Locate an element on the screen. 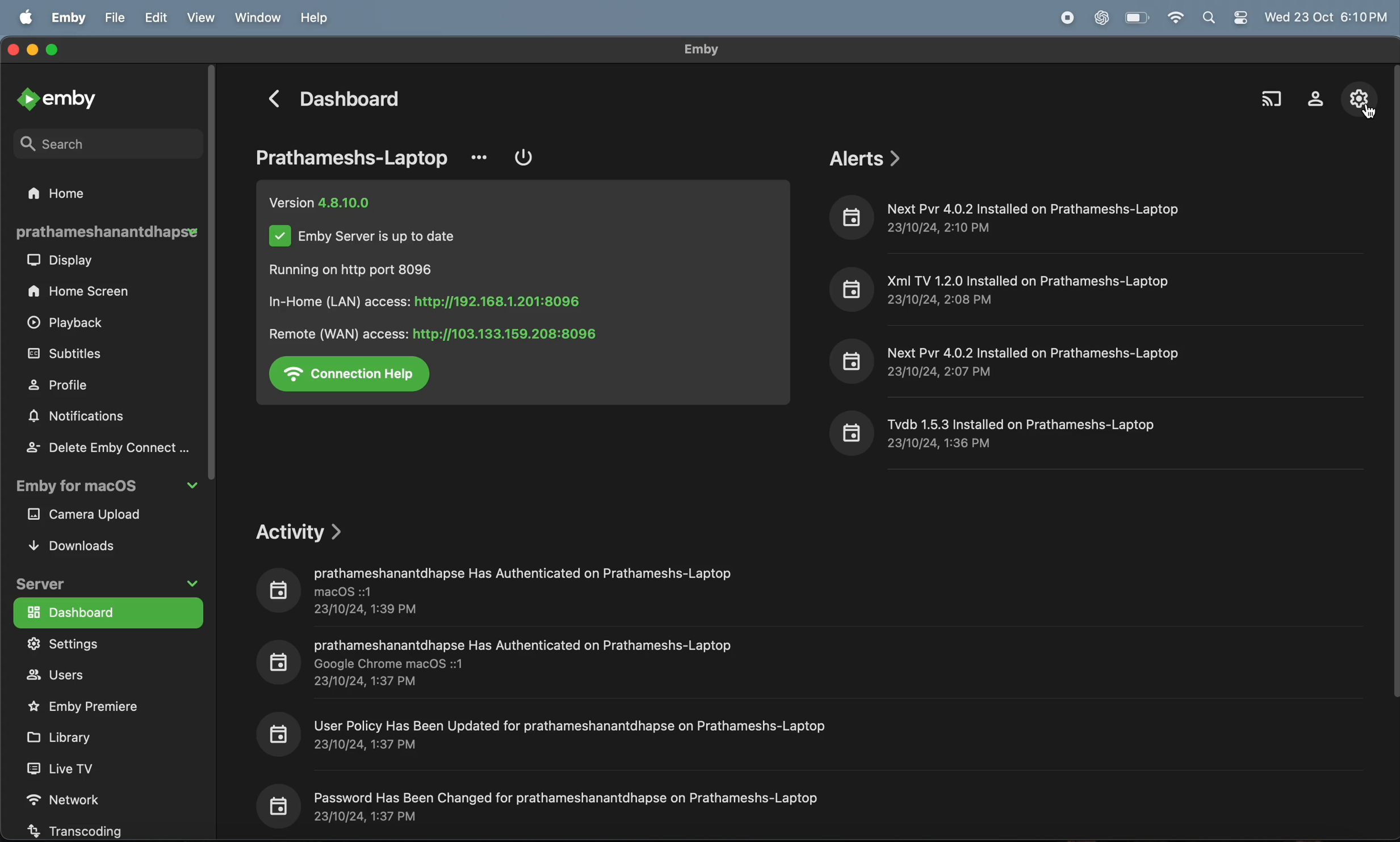 The image size is (1400, 842). notifications is located at coordinates (85, 416).